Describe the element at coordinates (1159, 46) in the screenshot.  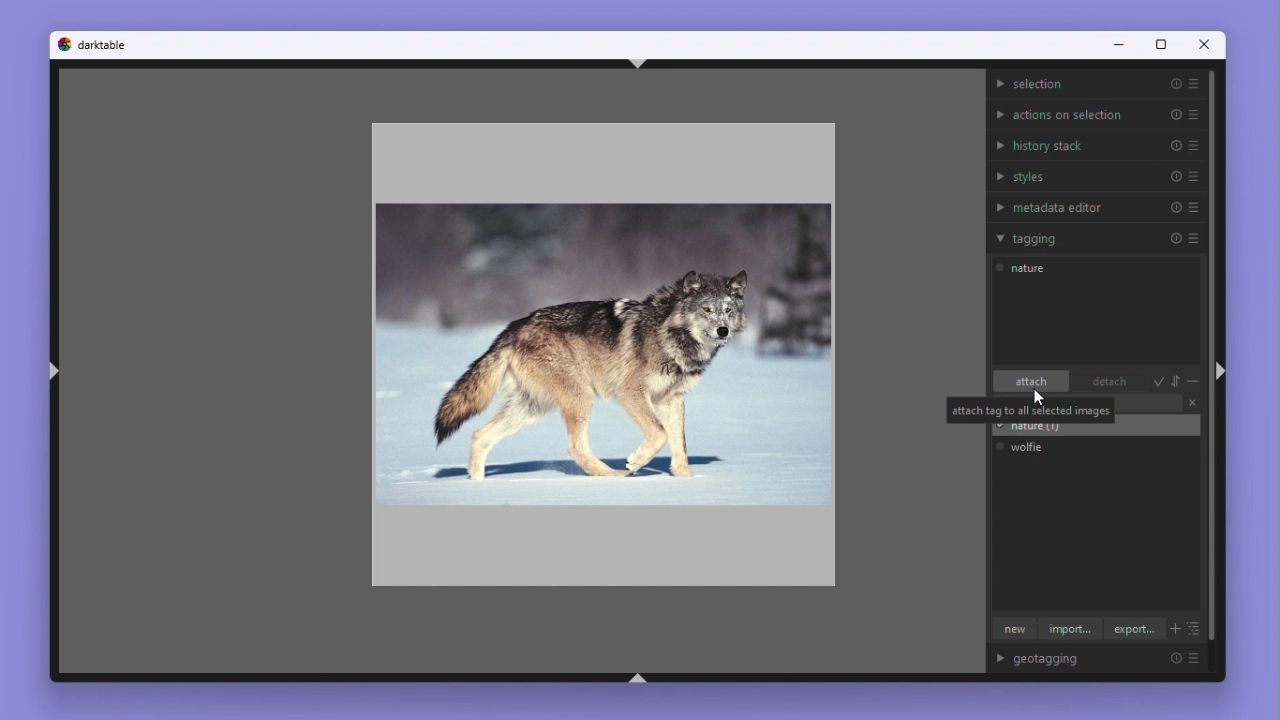
I see `Maximize` at that location.